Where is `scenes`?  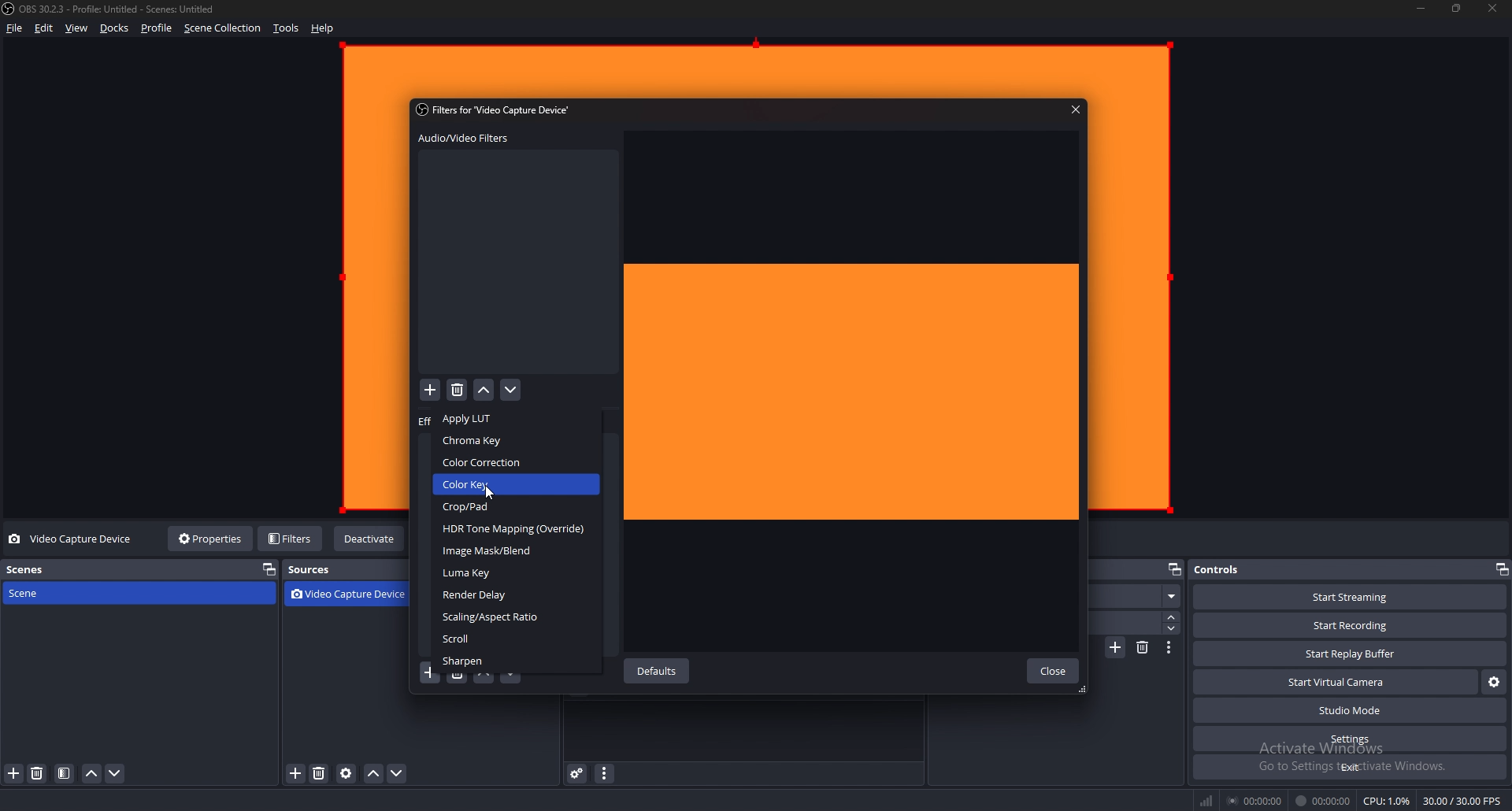
scenes is located at coordinates (78, 569).